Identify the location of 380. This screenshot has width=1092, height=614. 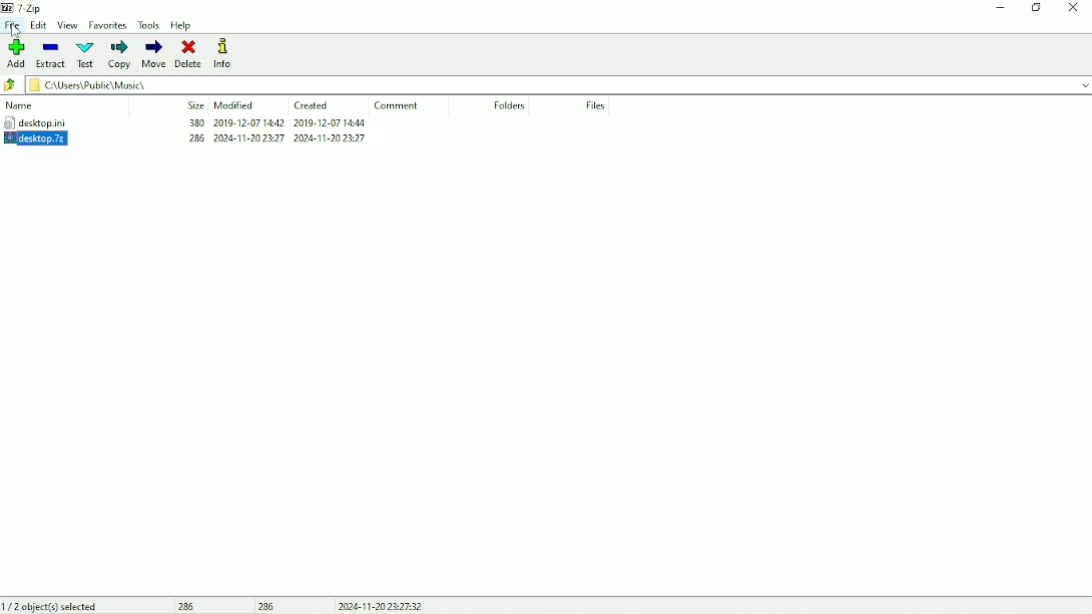
(195, 122).